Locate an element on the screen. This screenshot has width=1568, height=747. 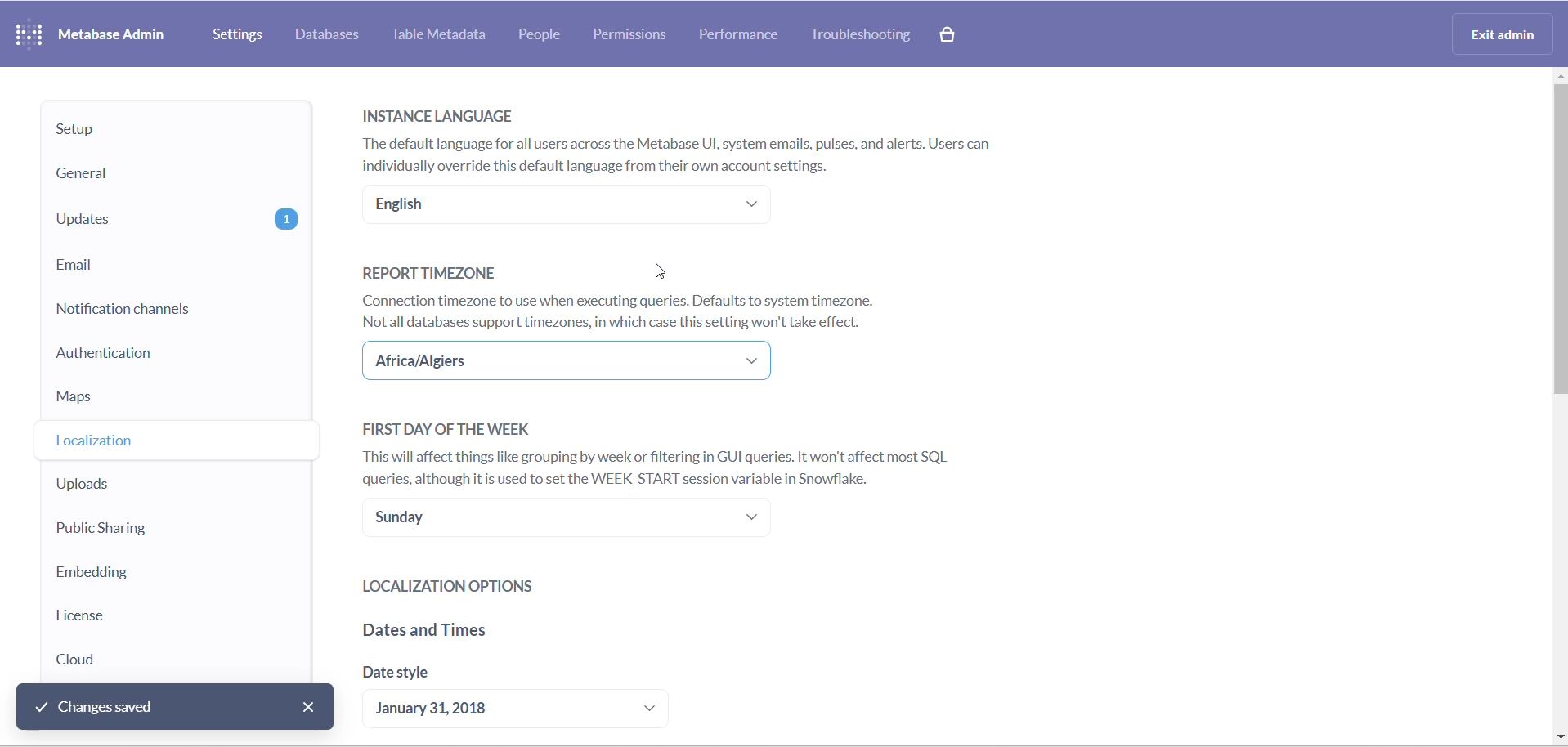
TABLE METADATA is located at coordinates (443, 35).